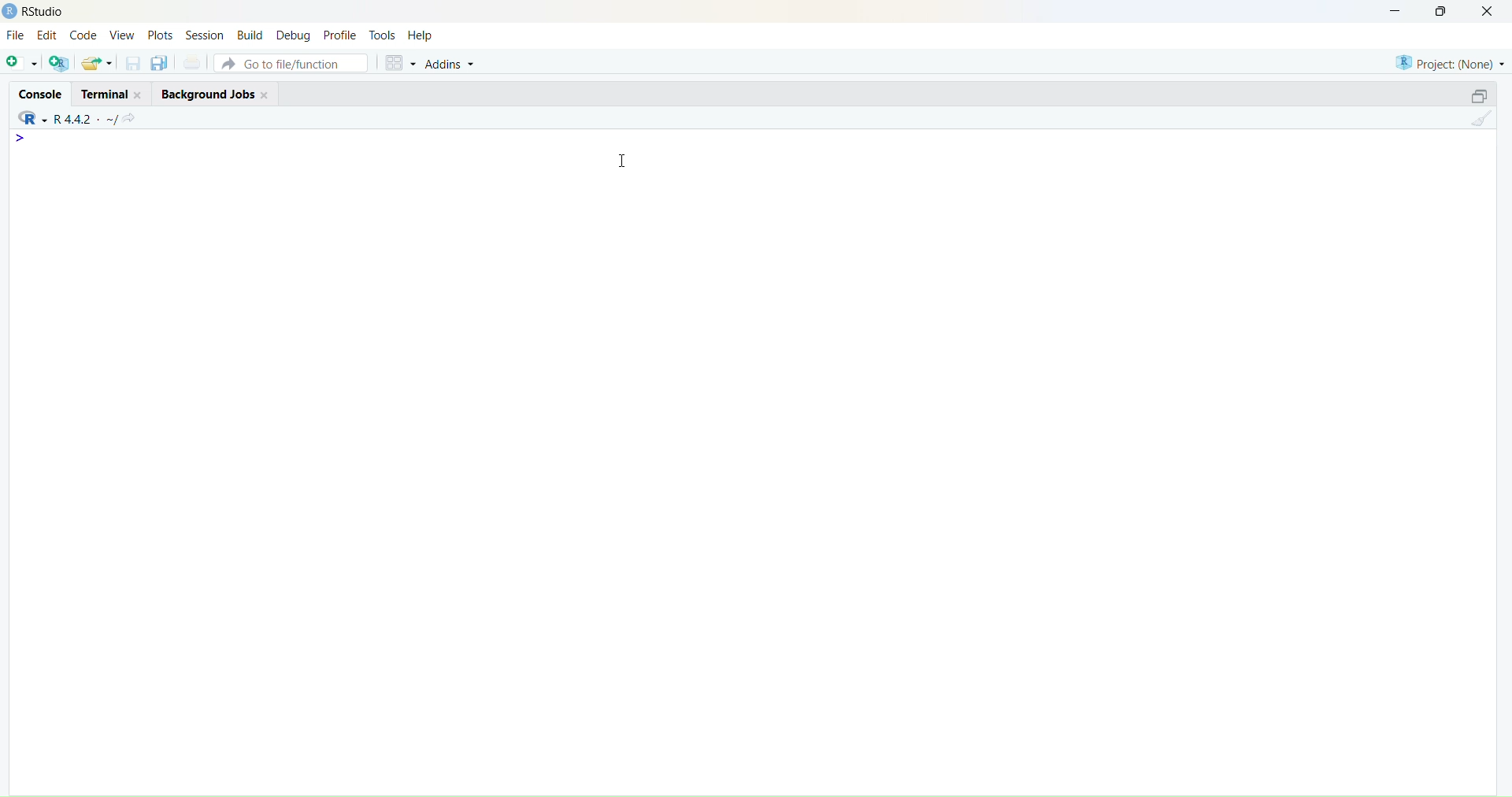  I want to click on New File, so click(20, 62).